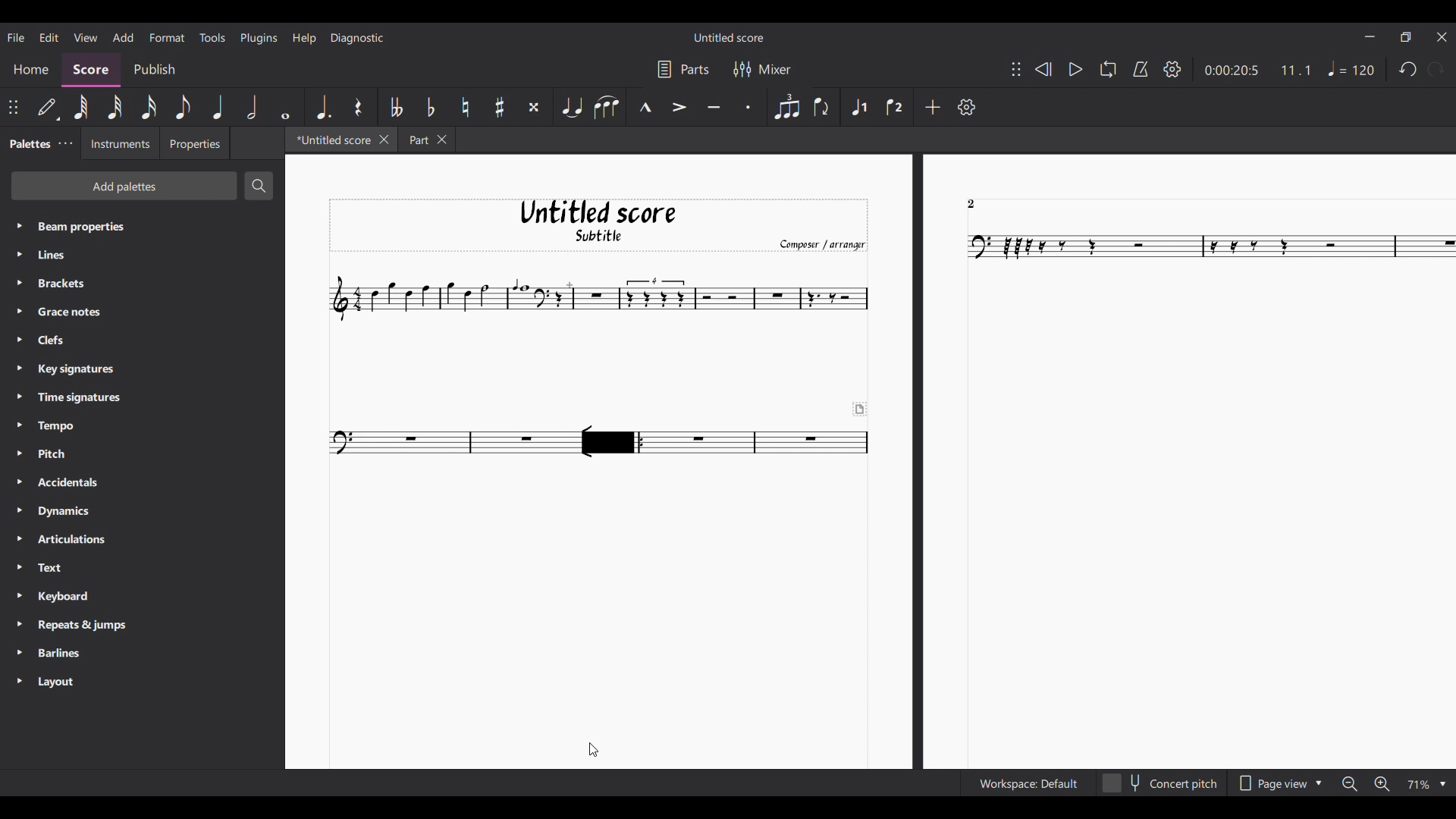 This screenshot has width=1456, height=819. Describe the element at coordinates (465, 107) in the screenshot. I see `Toggle natural` at that location.